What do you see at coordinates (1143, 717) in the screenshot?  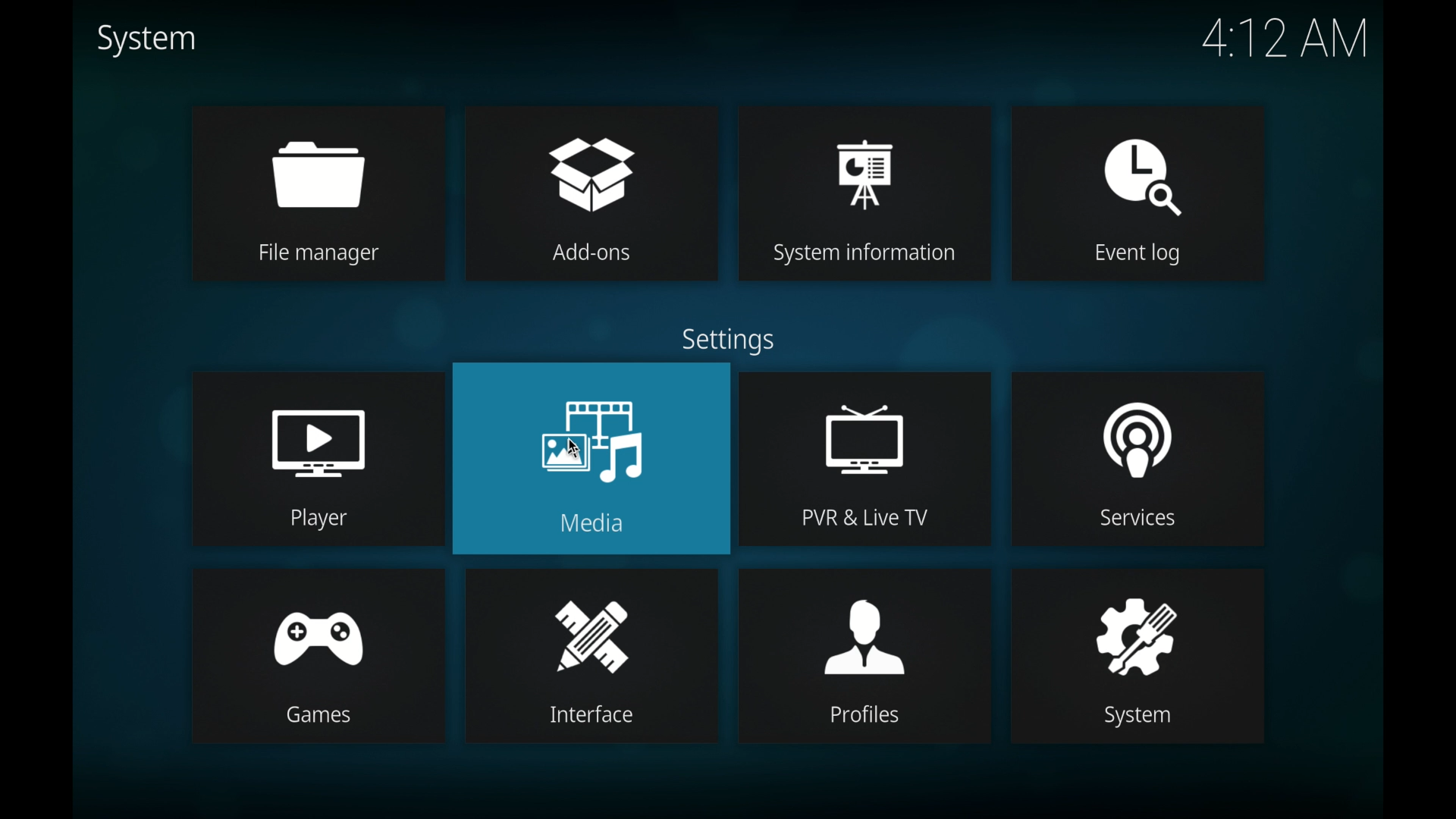 I see `System` at bounding box center [1143, 717].